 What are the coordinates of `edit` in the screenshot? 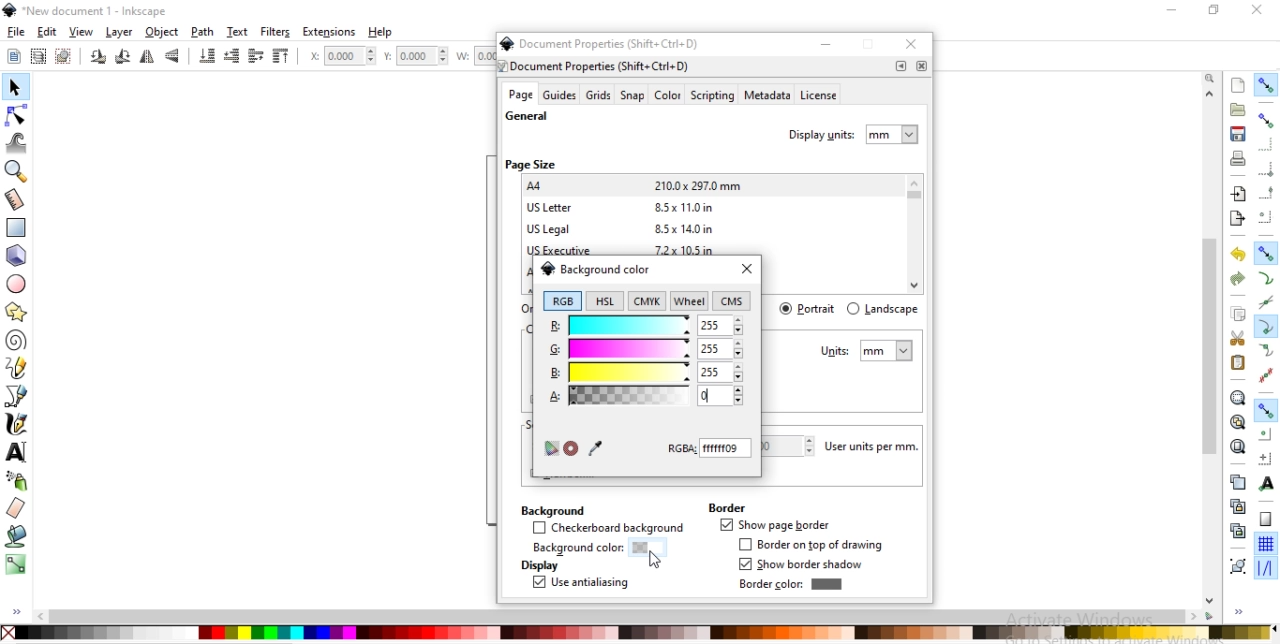 It's located at (46, 32).